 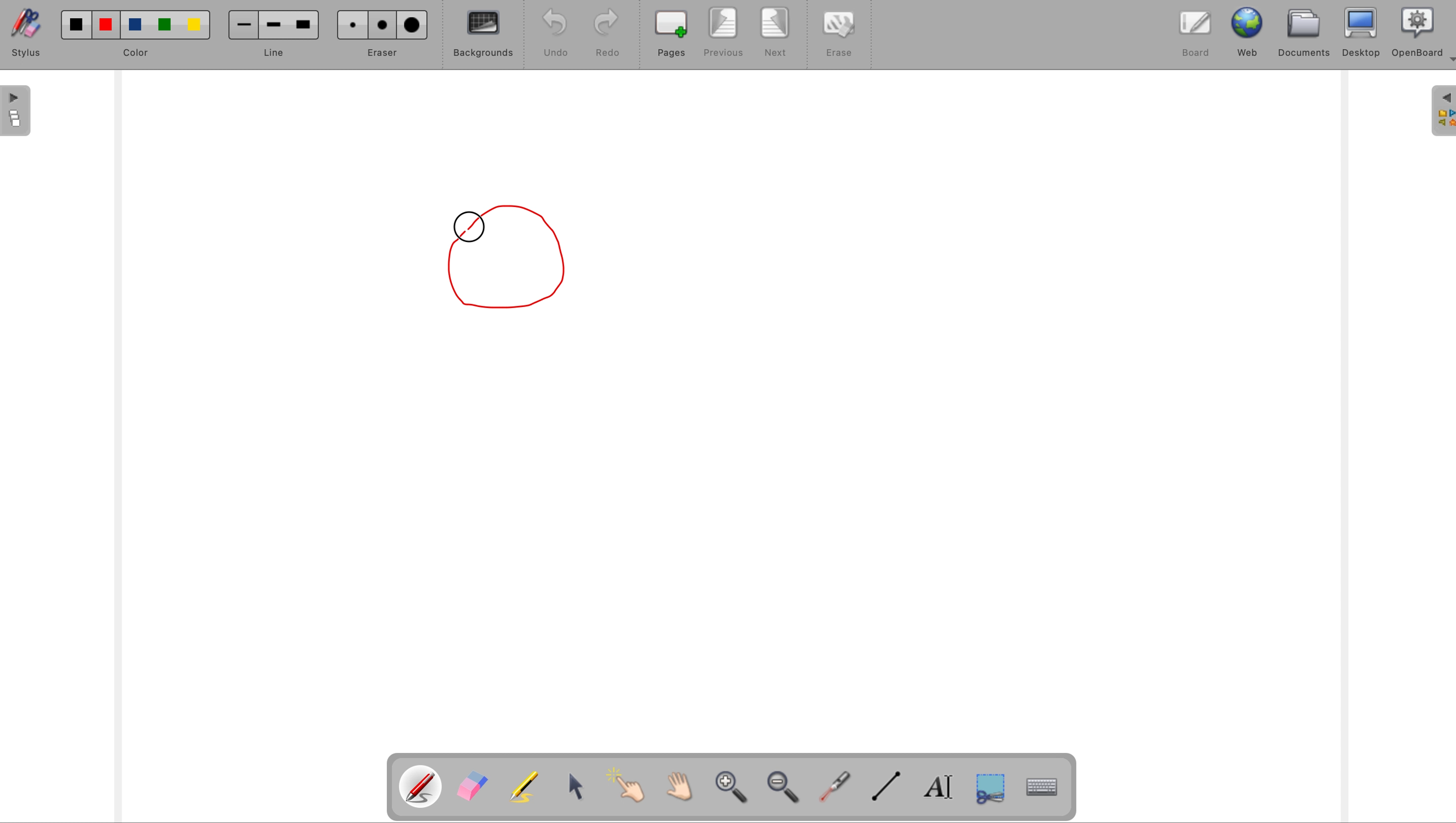 What do you see at coordinates (725, 32) in the screenshot?
I see `previous` at bounding box center [725, 32].